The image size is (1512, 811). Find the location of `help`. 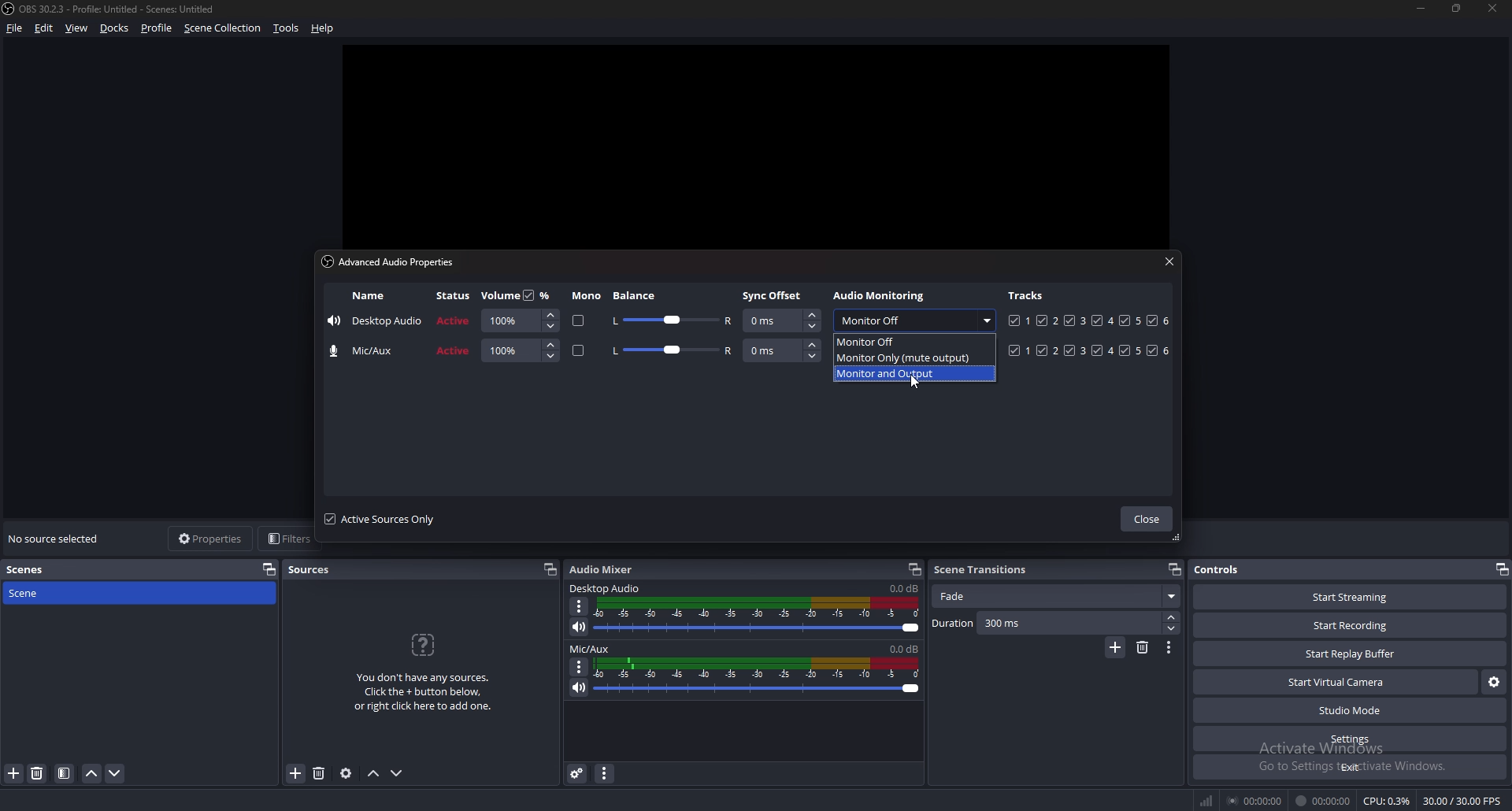

help is located at coordinates (323, 28).